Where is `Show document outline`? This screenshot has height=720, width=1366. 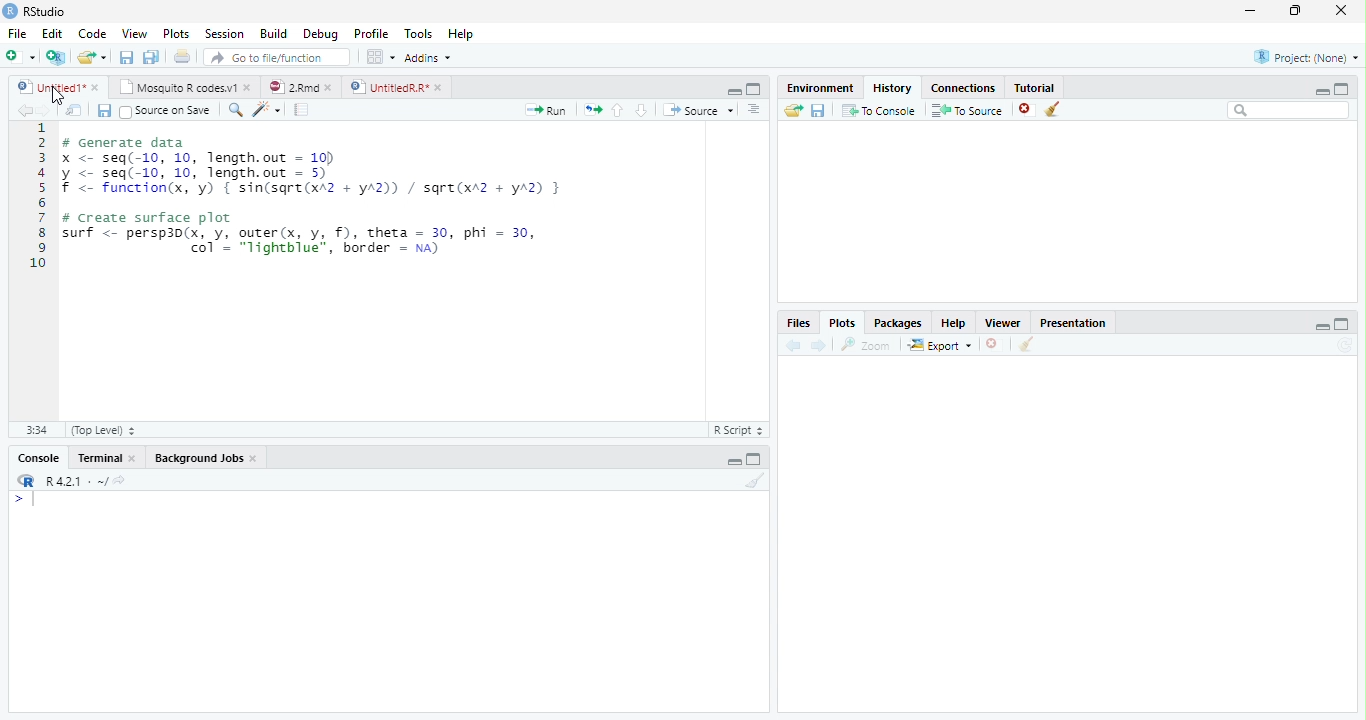 Show document outline is located at coordinates (753, 108).